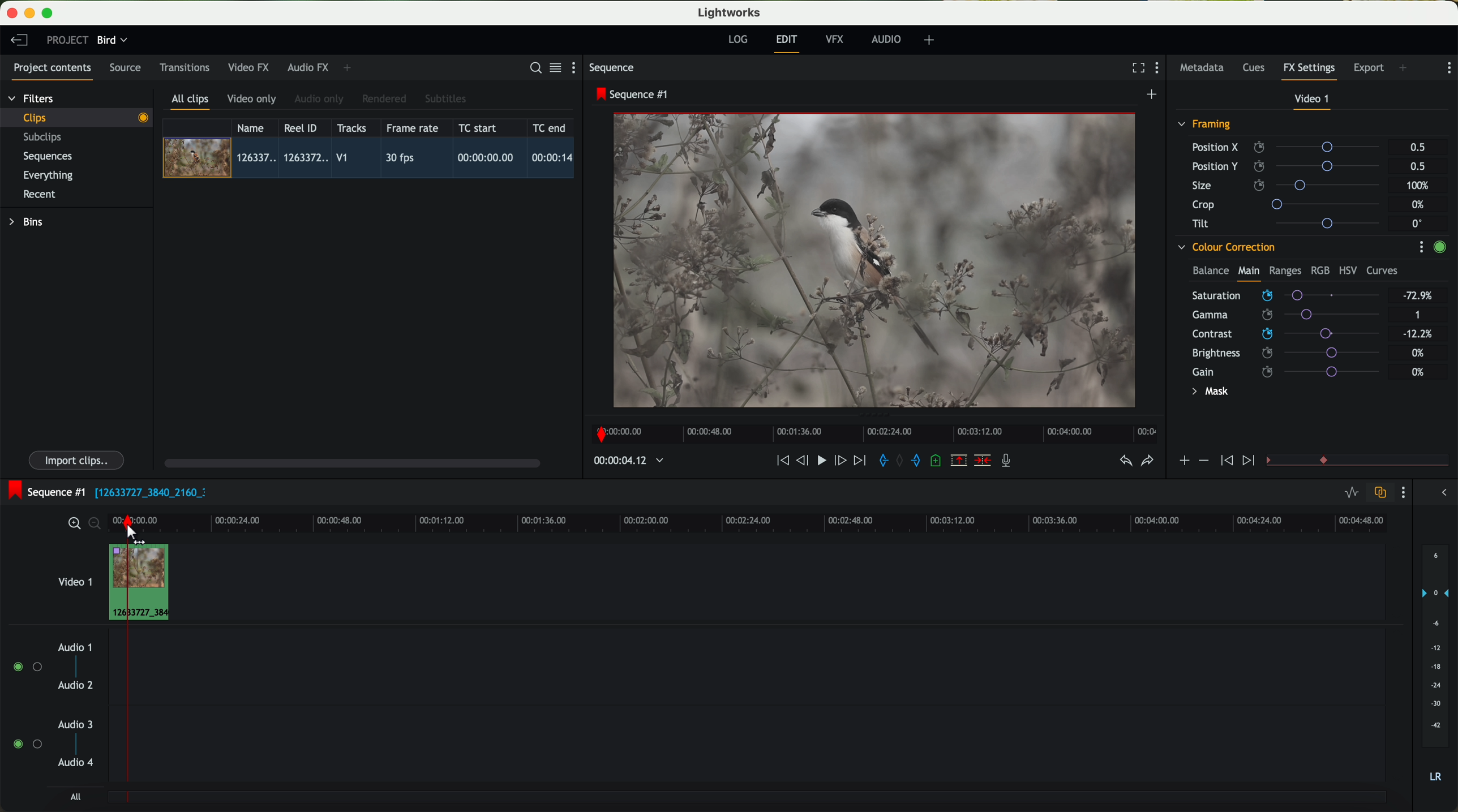 Image resolution: width=1458 pixels, height=812 pixels. I want to click on show settings menu, so click(1448, 68).